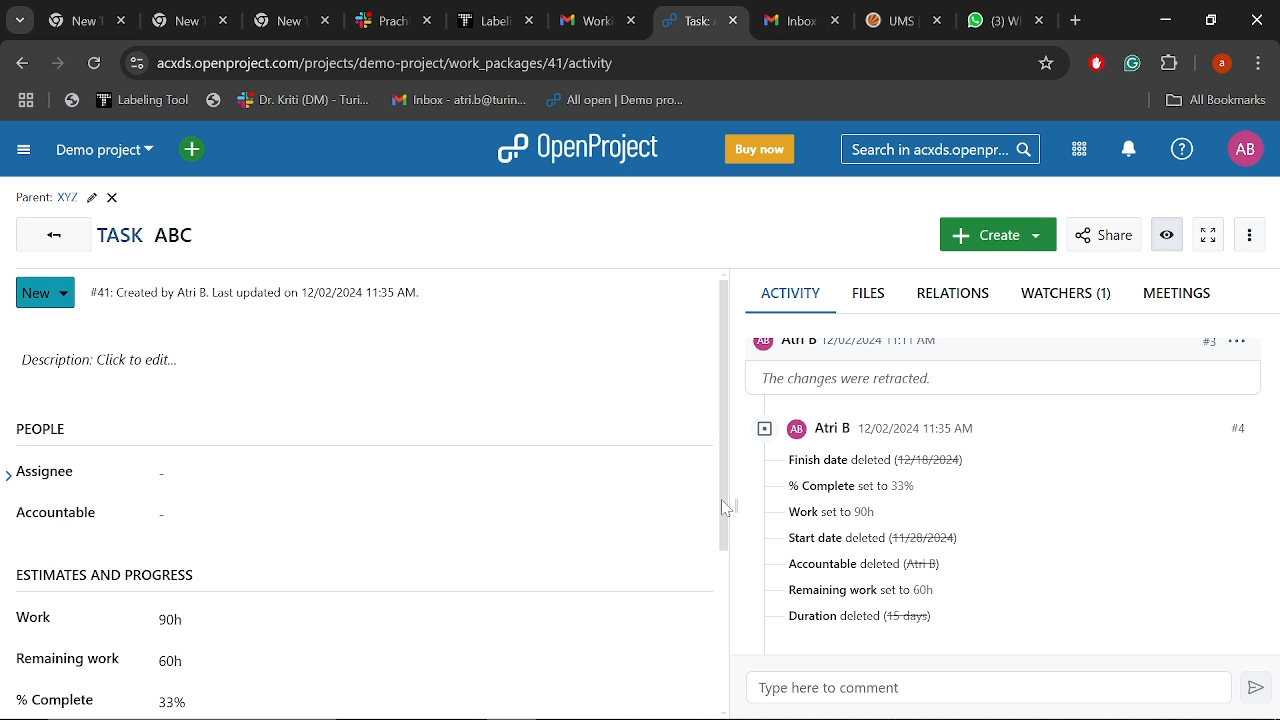 The height and width of the screenshot is (720, 1280). I want to click on Add/remove bookmark, so click(1045, 64).